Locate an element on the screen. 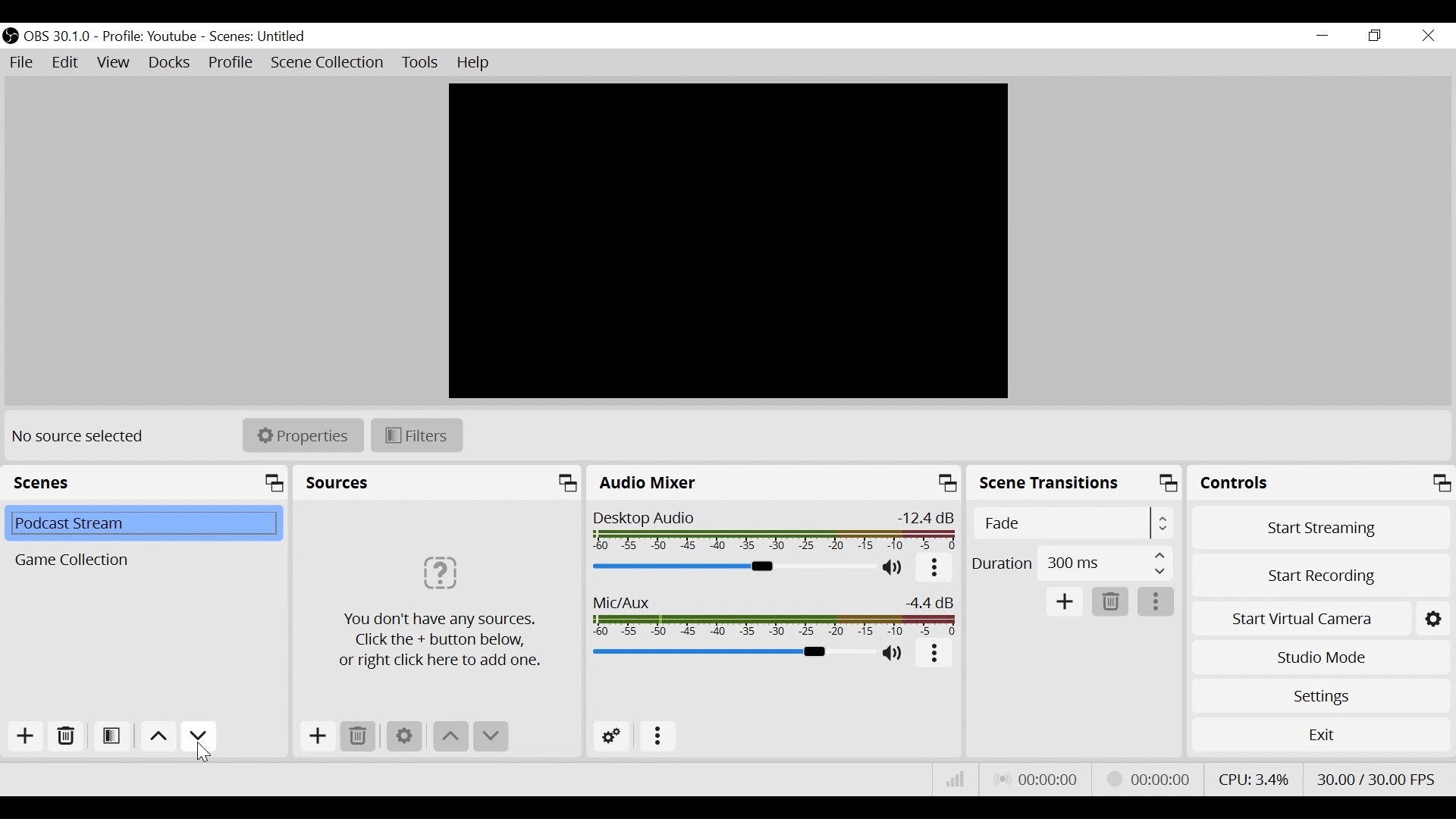  Help is located at coordinates (475, 63).